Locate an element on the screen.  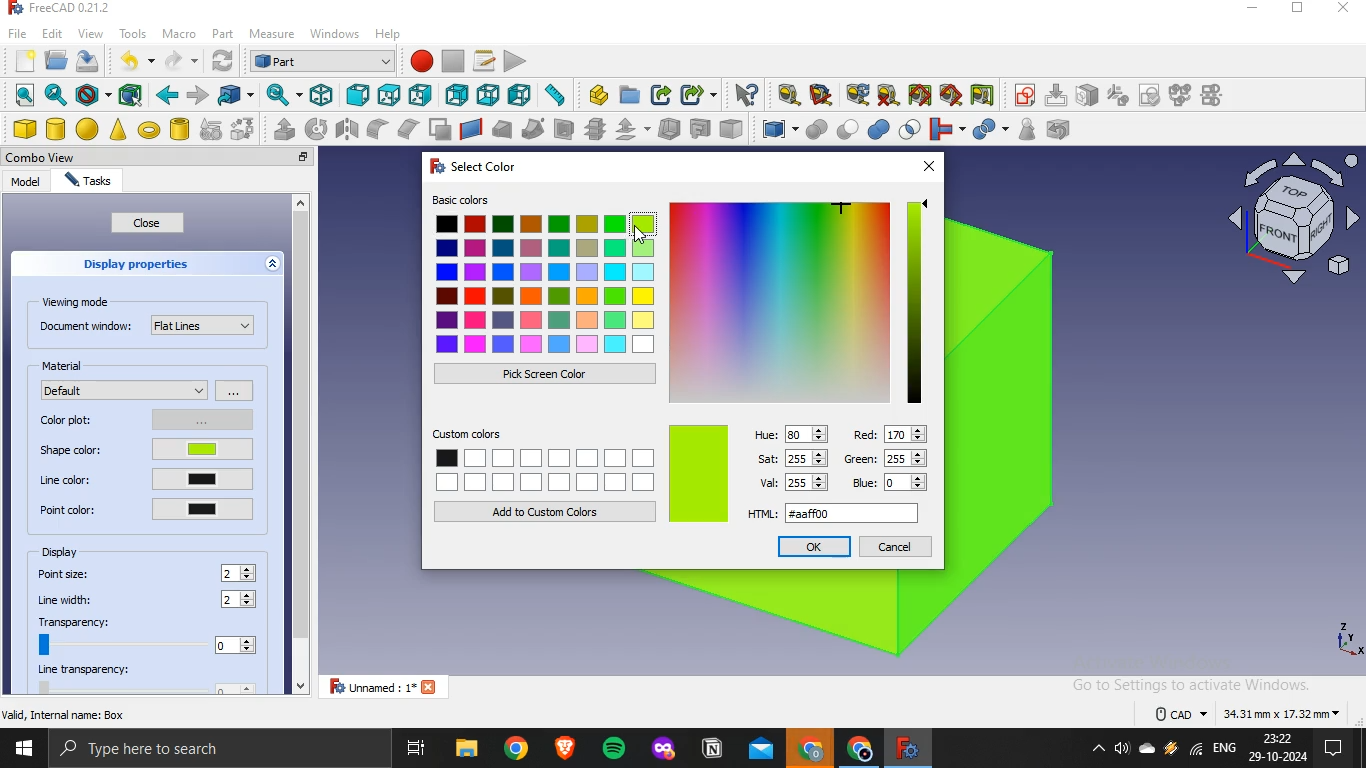
axes icons is located at coordinates (1347, 638).